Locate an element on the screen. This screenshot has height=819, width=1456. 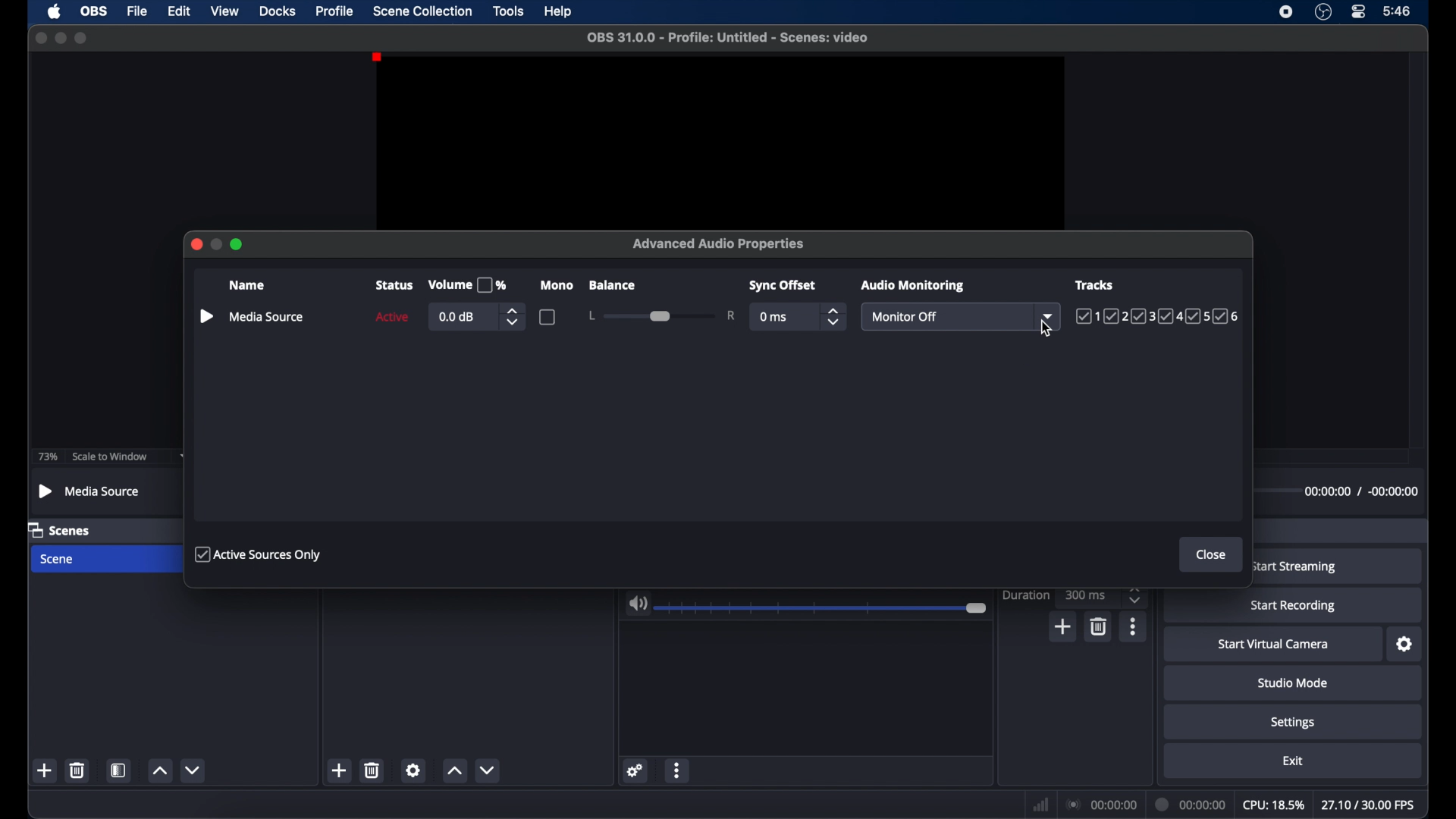
control center is located at coordinates (1359, 12).